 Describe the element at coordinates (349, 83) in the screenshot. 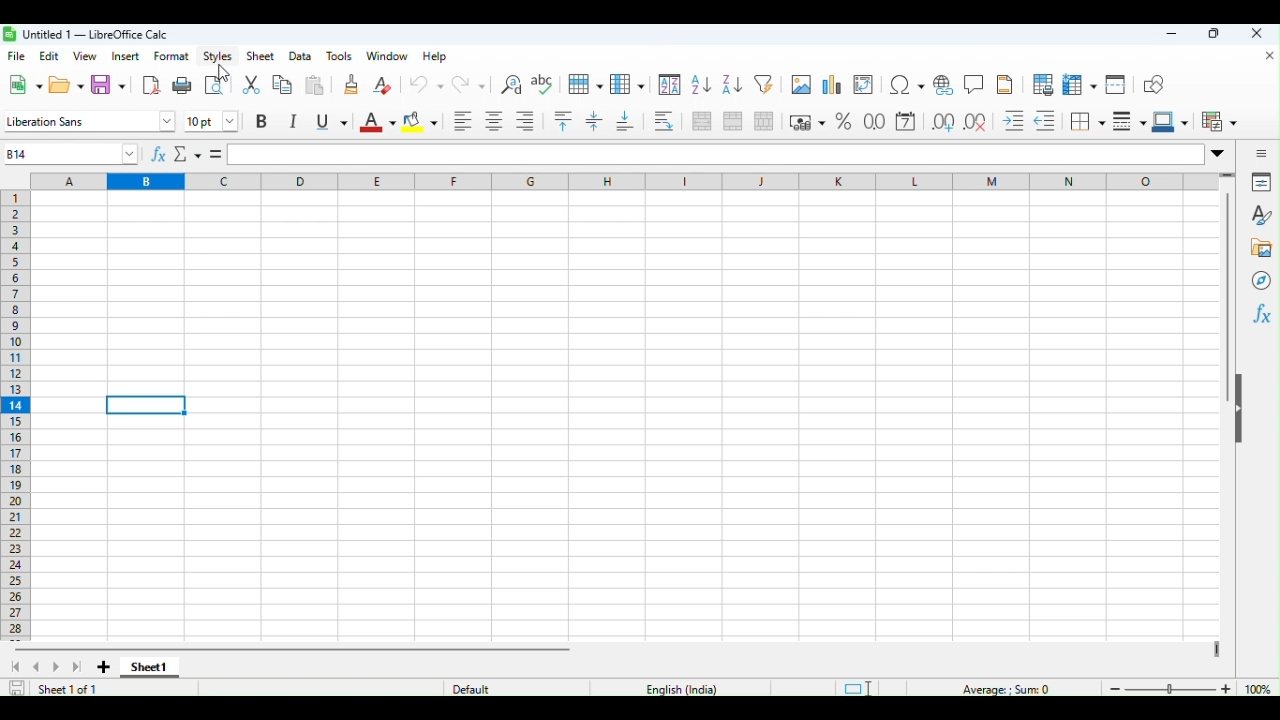

I see `clone formatting` at that location.